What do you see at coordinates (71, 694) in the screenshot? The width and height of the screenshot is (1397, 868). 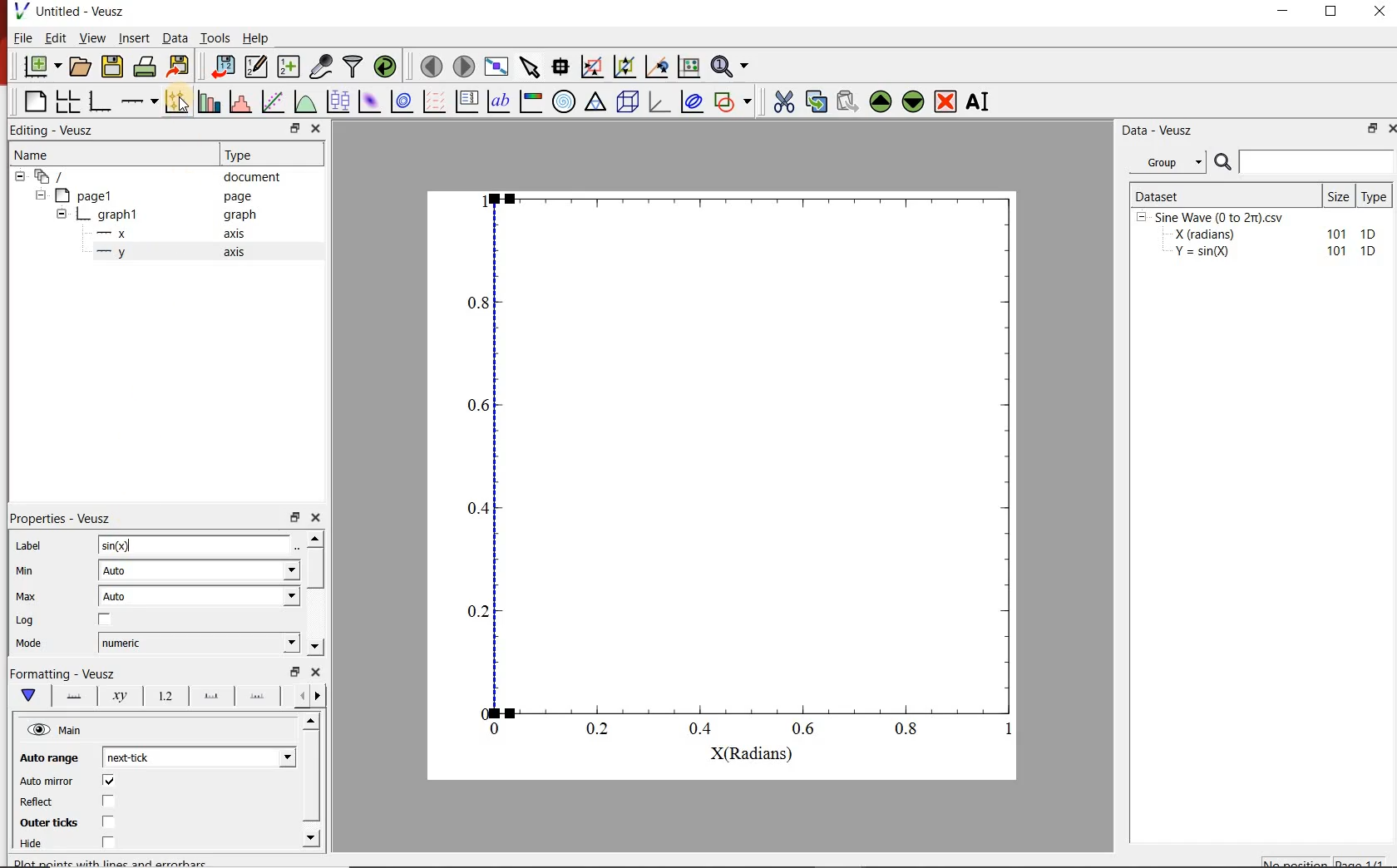 I see `options` at bounding box center [71, 694].